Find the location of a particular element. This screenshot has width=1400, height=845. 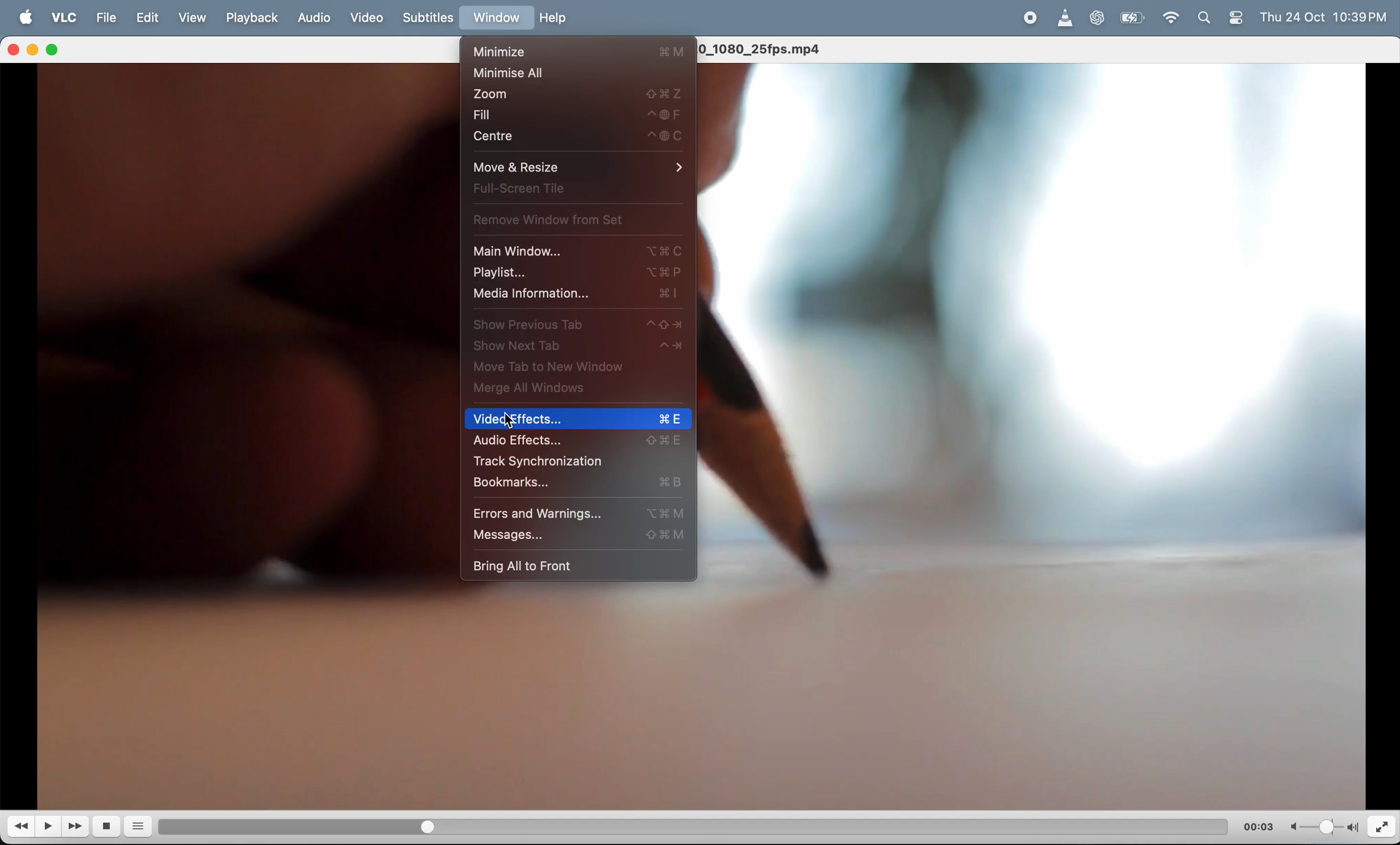

zoom is located at coordinates (581, 93).